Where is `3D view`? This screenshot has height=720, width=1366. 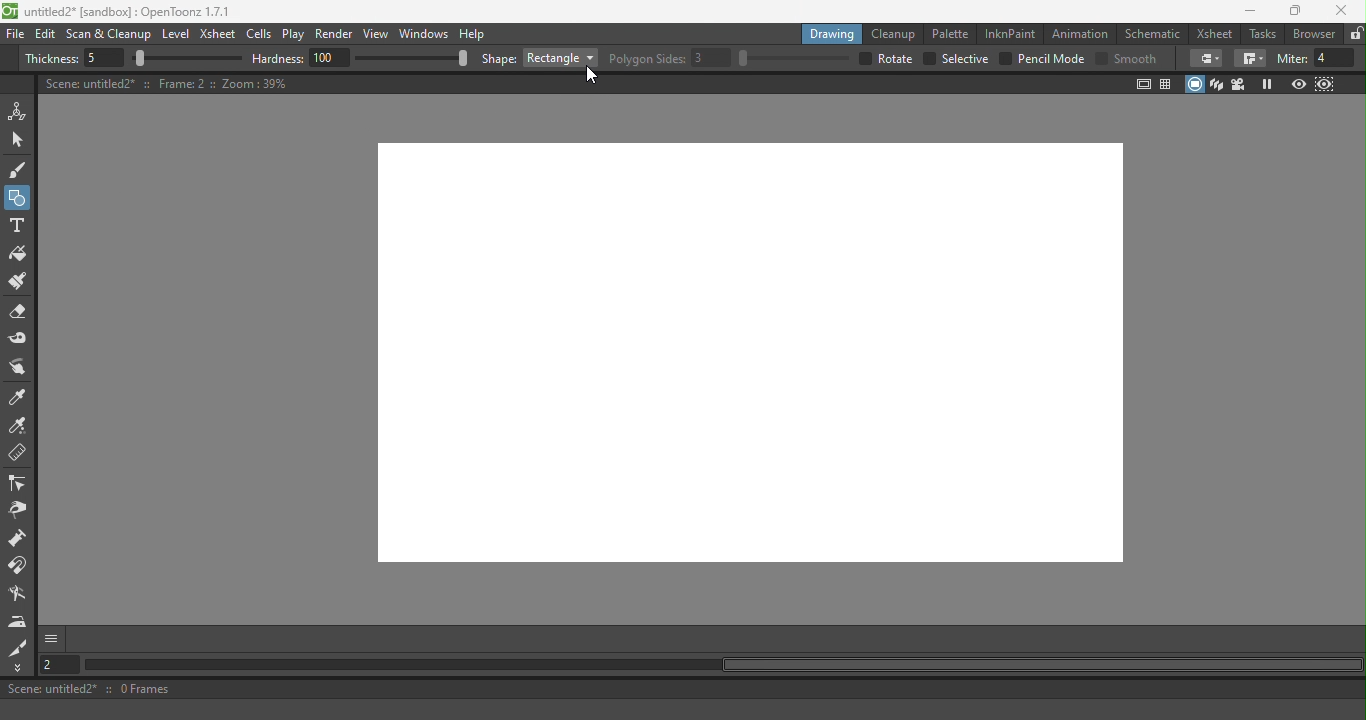
3D view is located at coordinates (1219, 85).